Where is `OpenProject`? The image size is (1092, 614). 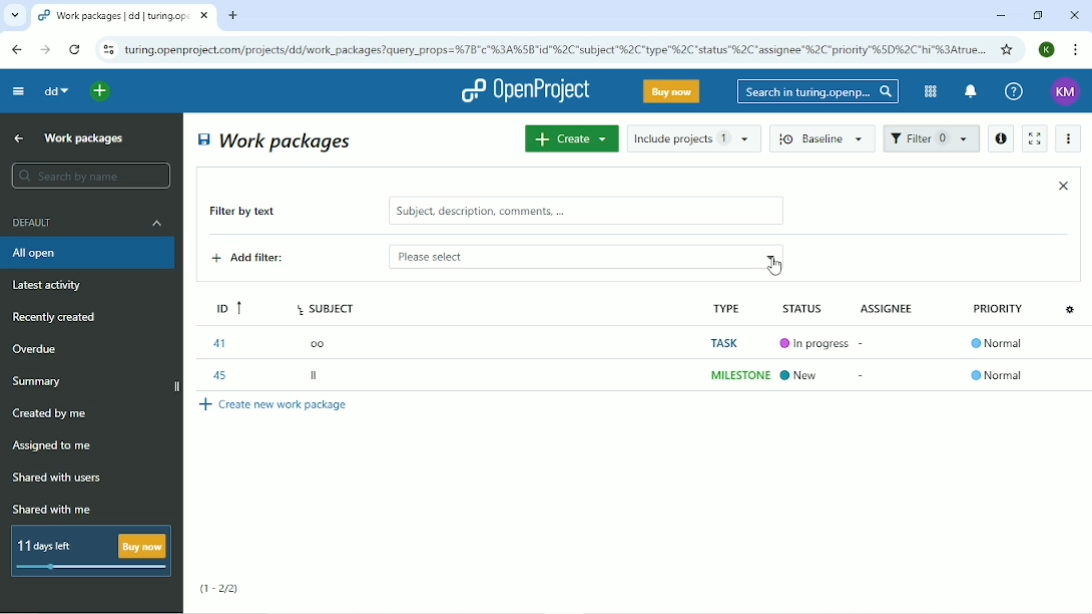 OpenProject is located at coordinates (525, 91).